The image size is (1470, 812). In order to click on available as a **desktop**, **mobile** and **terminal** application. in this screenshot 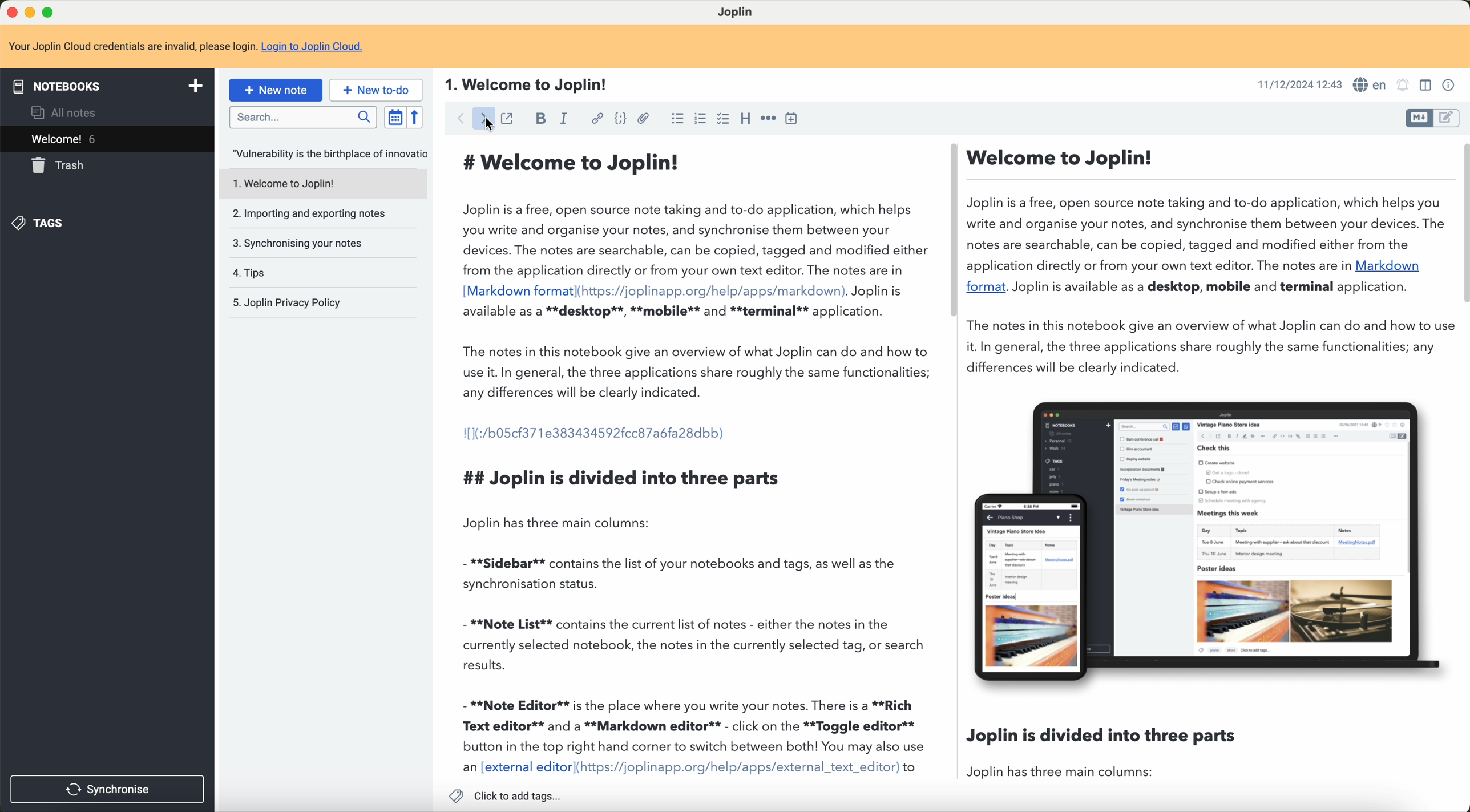, I will do `click(669, 310)`.